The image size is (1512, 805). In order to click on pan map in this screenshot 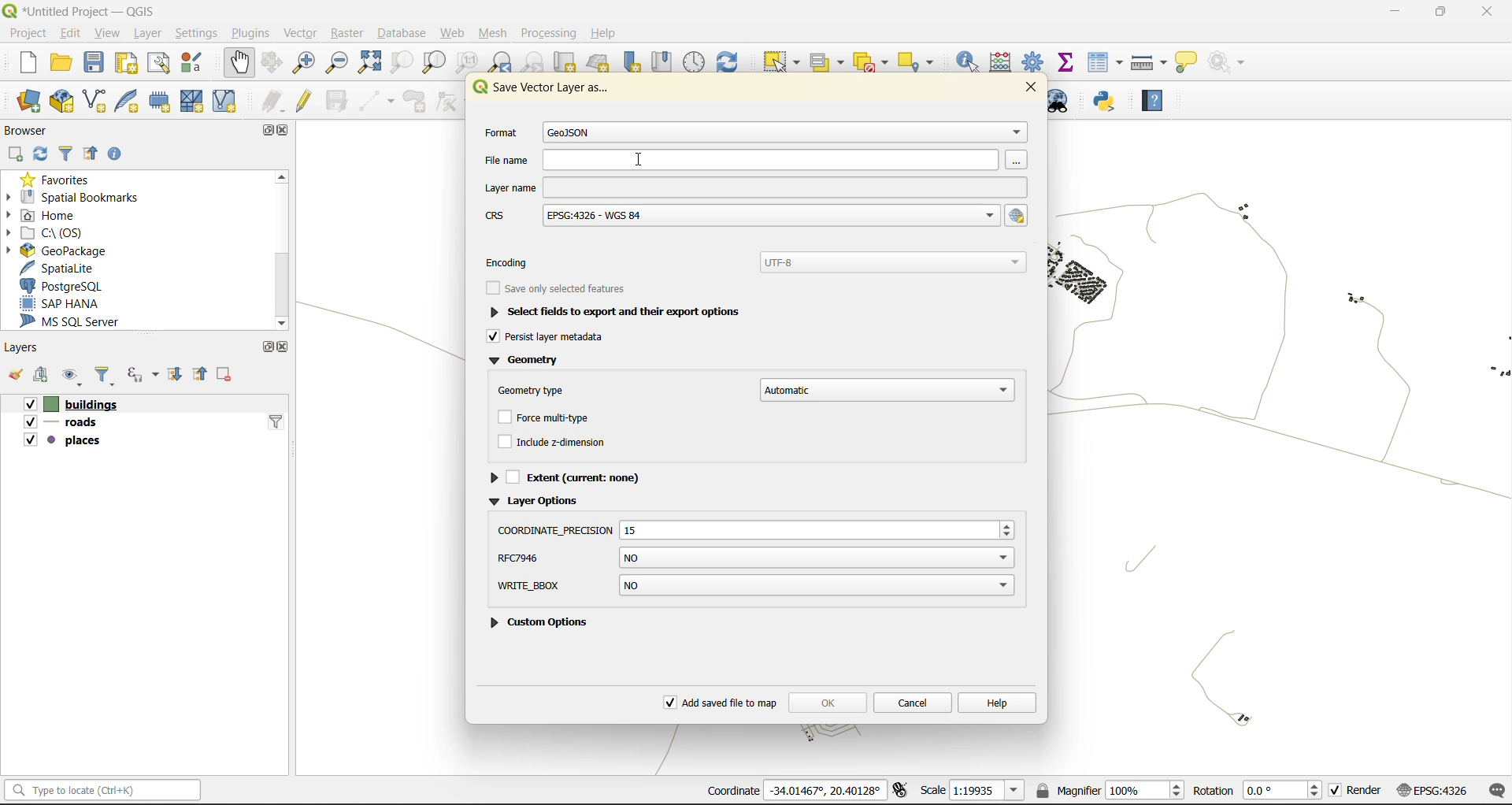, I will do `click(239, 65)`.